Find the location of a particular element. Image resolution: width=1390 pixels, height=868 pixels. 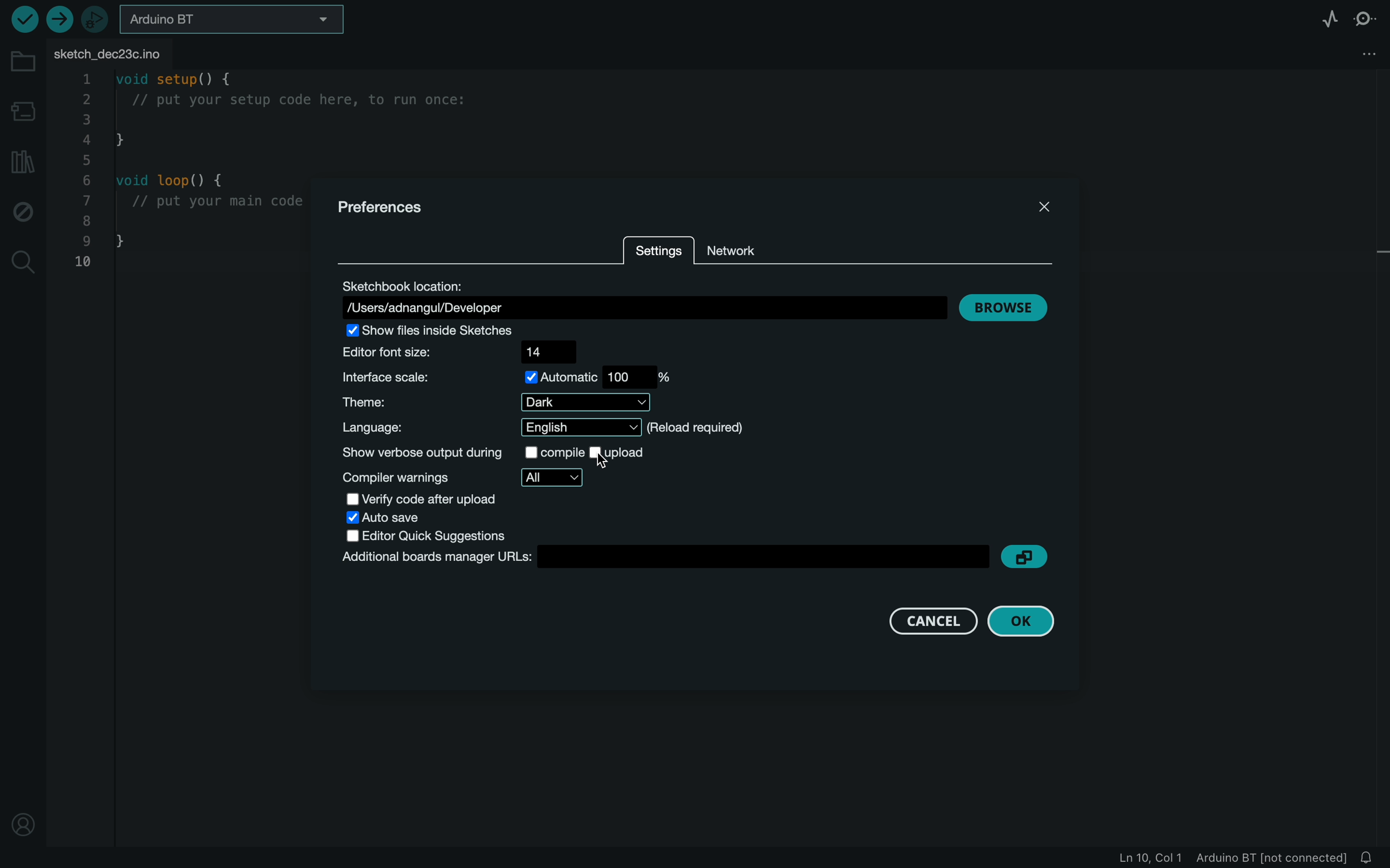

verify code is located at coordinates (420, 499).